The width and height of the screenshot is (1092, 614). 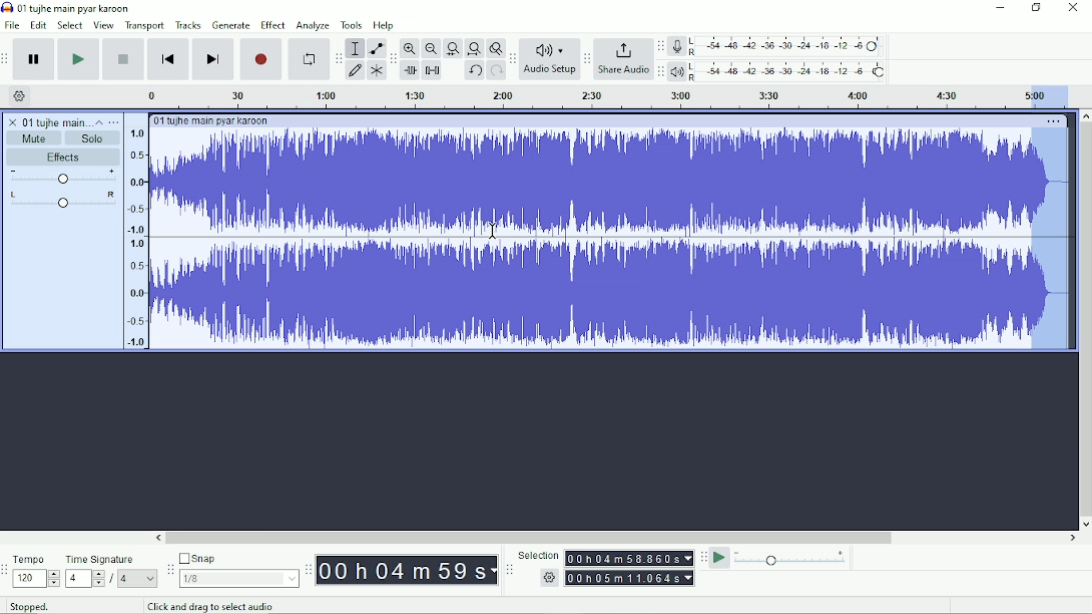 I want to click on Audacity selection toolbar, so click(x=509, y=569).